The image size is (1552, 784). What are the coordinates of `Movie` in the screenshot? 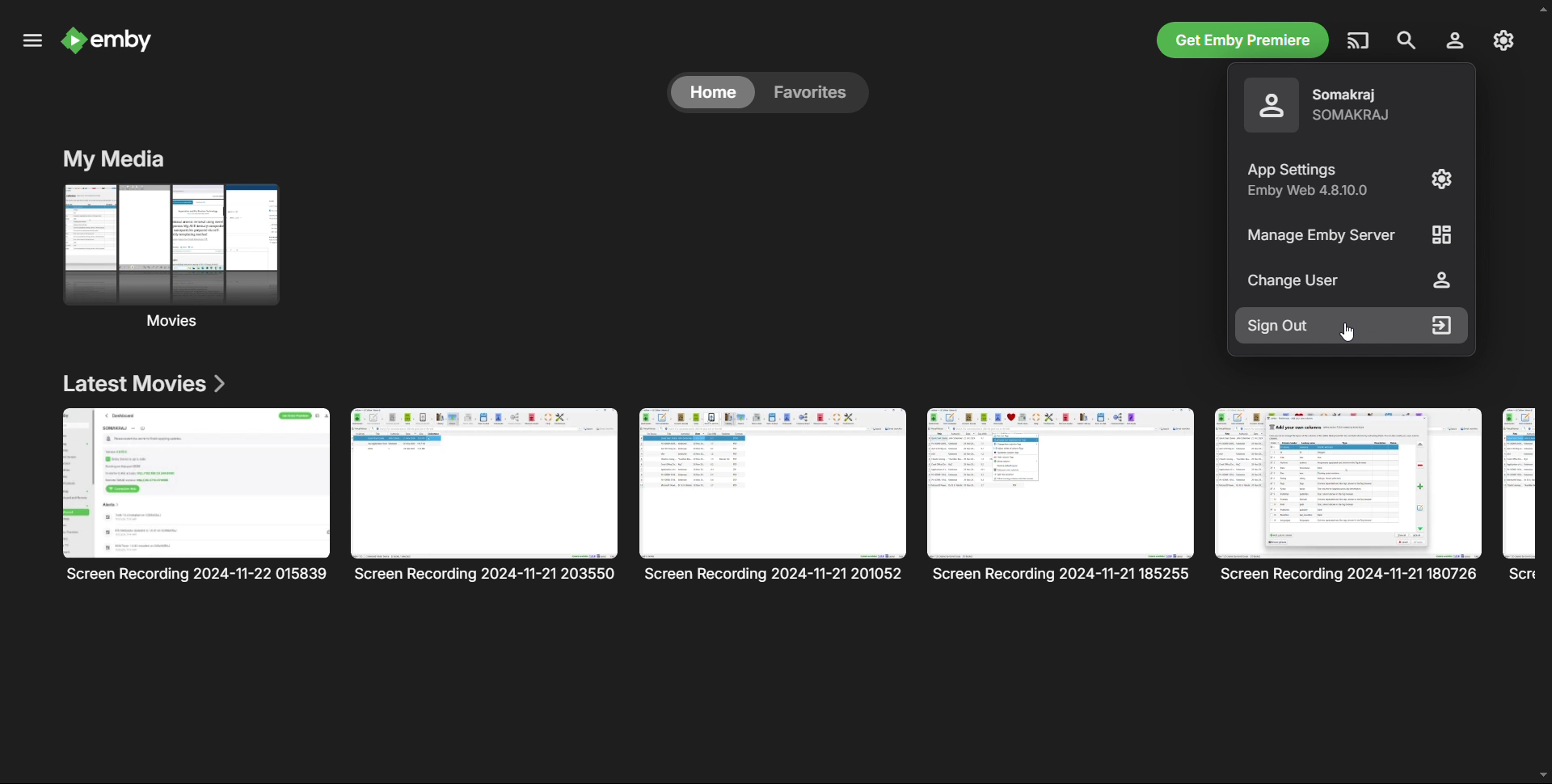 It's located at (1348, 495).